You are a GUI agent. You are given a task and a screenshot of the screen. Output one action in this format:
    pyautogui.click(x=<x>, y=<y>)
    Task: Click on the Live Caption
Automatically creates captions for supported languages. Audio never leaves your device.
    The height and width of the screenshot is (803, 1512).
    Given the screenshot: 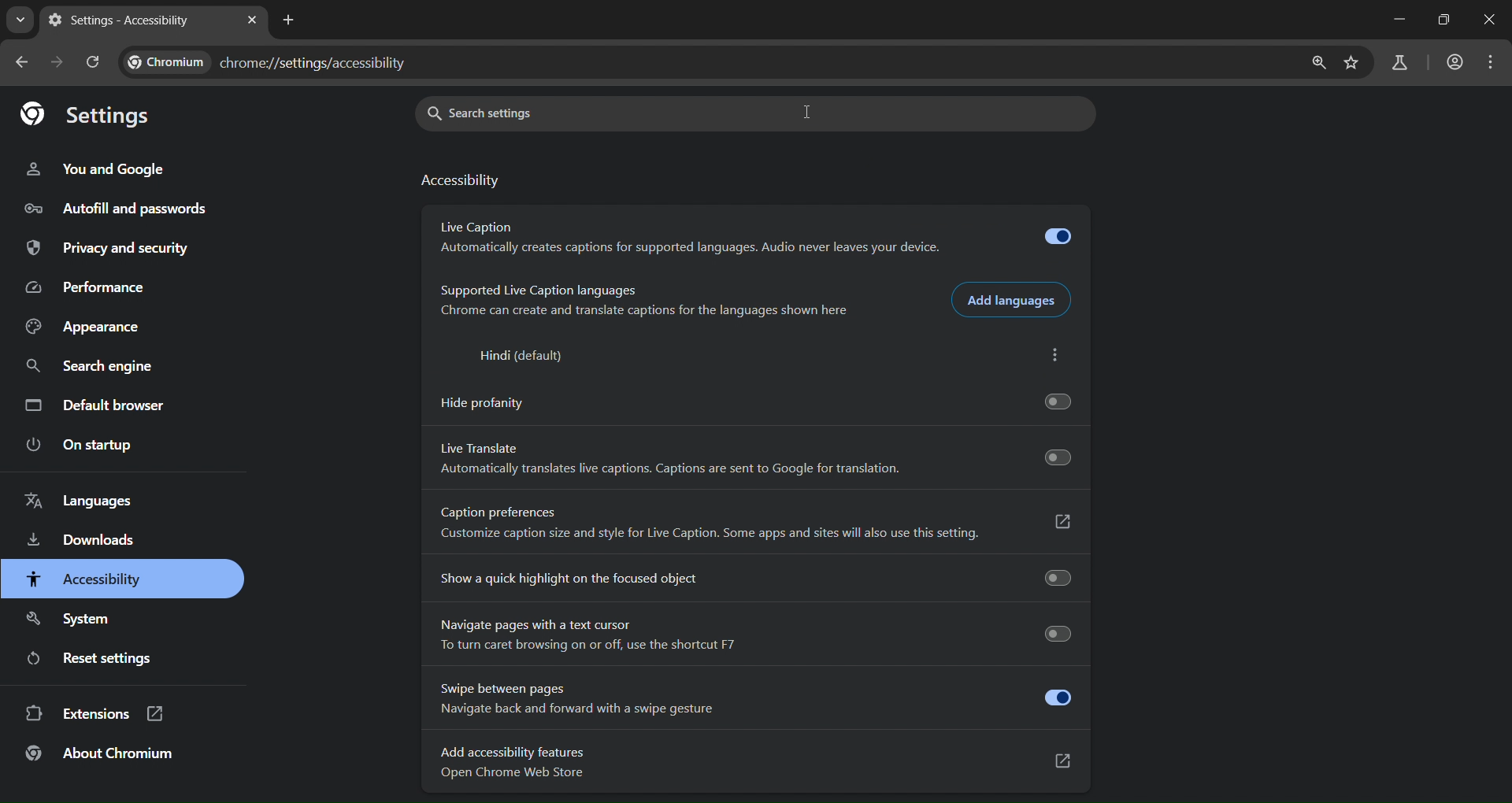 What is the action you would take?
    pyautogui.click(x=751, y=239)
    